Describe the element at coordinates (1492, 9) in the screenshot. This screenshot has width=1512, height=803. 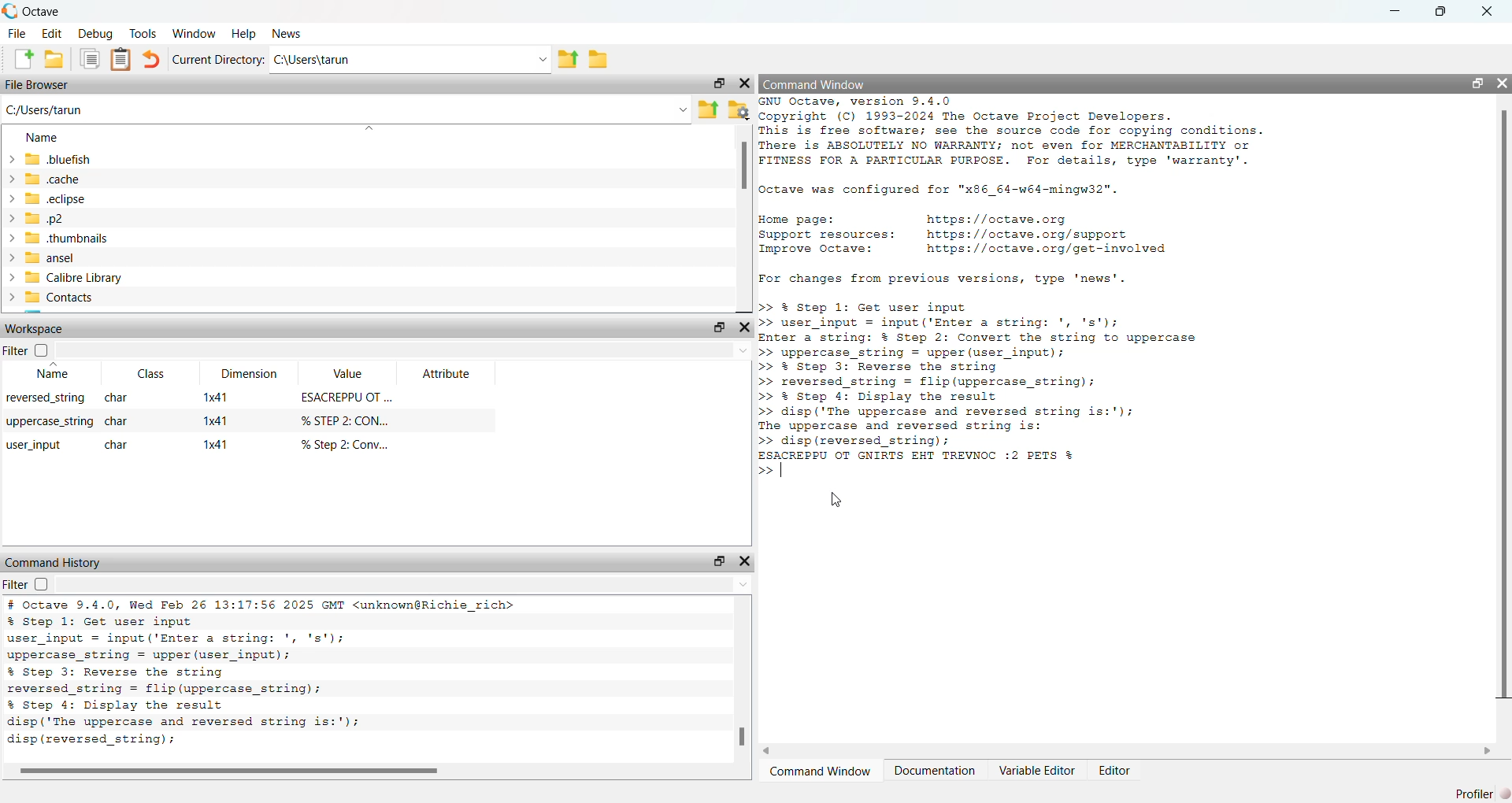
I see `close` at that location.